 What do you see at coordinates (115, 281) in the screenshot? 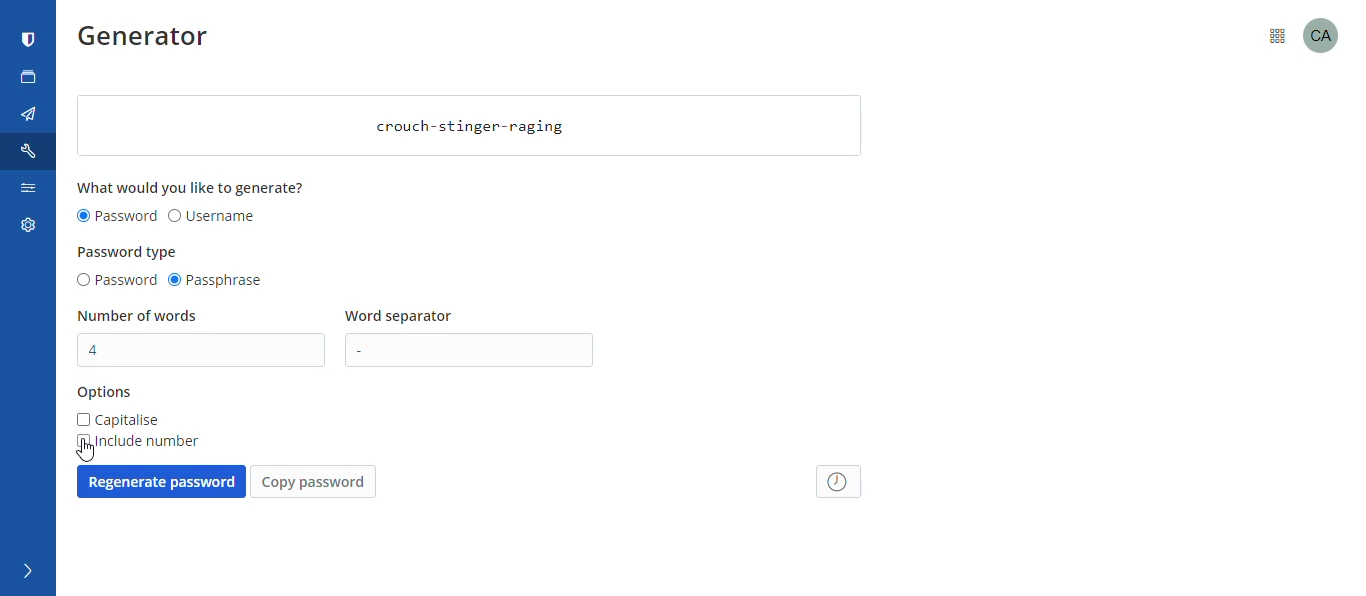
I see `password radio button` at bounding box center [115, 281].